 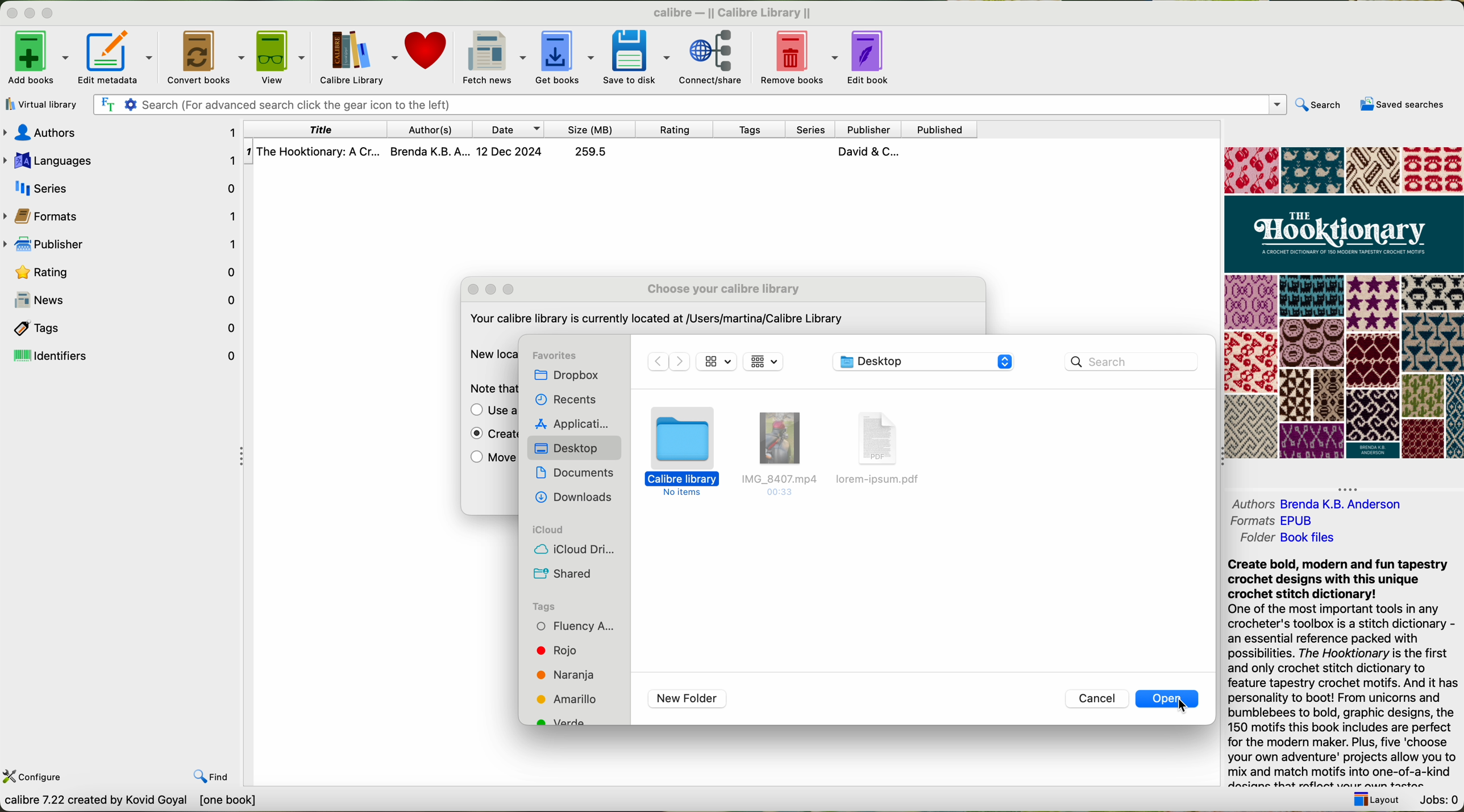 I want to click on icloud drive, so click(x=575, y=551).